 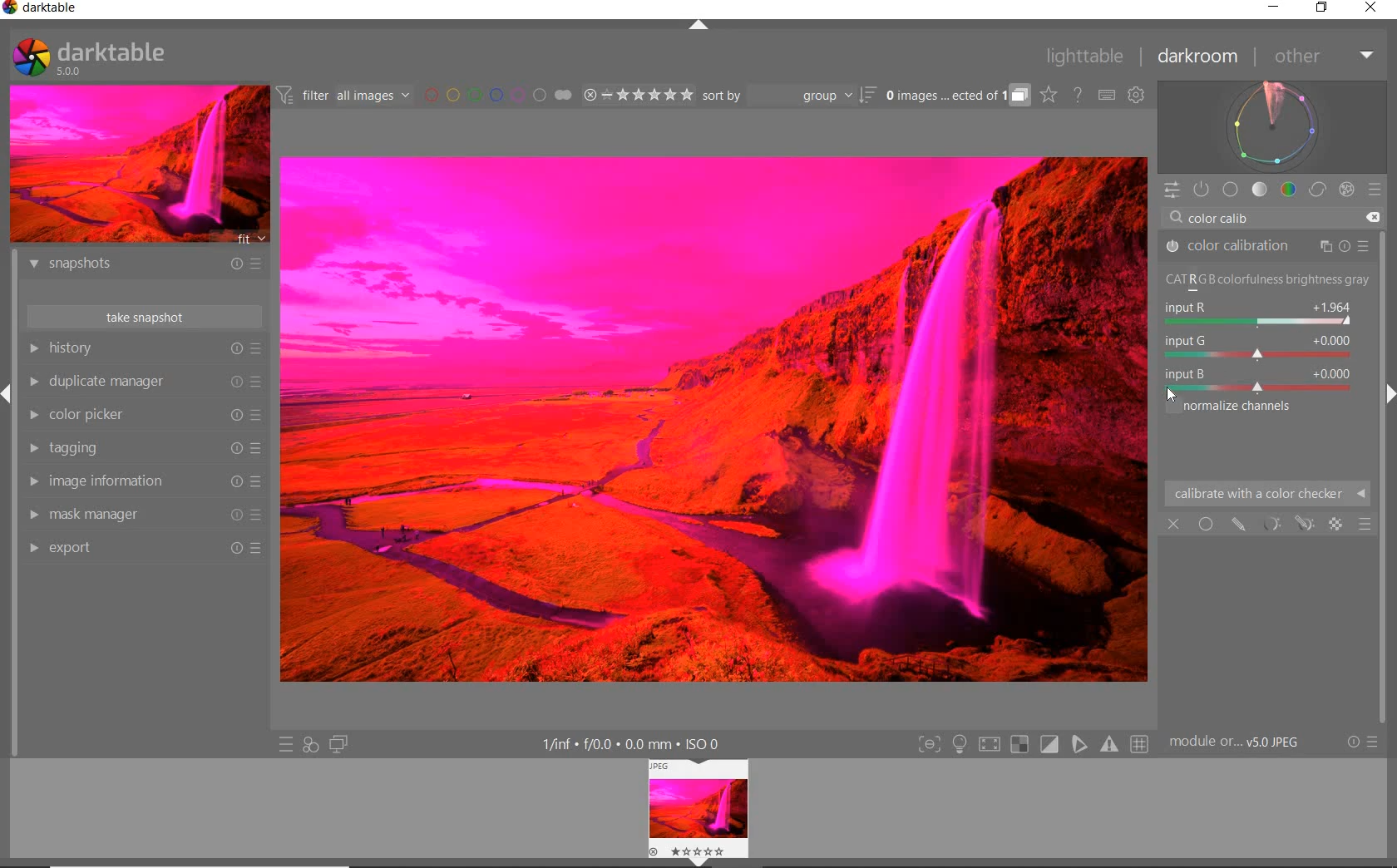 I want to click on SELECTED IMAGE, so click(x=715, y=417).